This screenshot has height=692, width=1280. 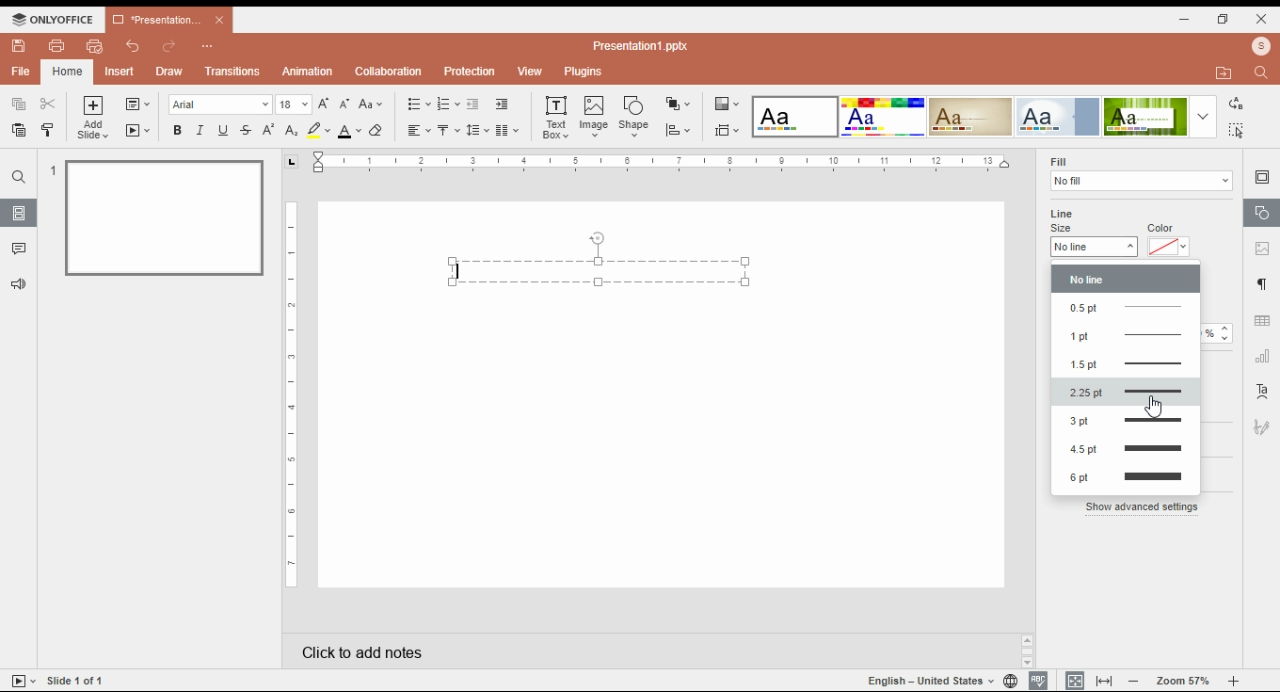 I want to click on start slide show, so click(x=138, y=131).